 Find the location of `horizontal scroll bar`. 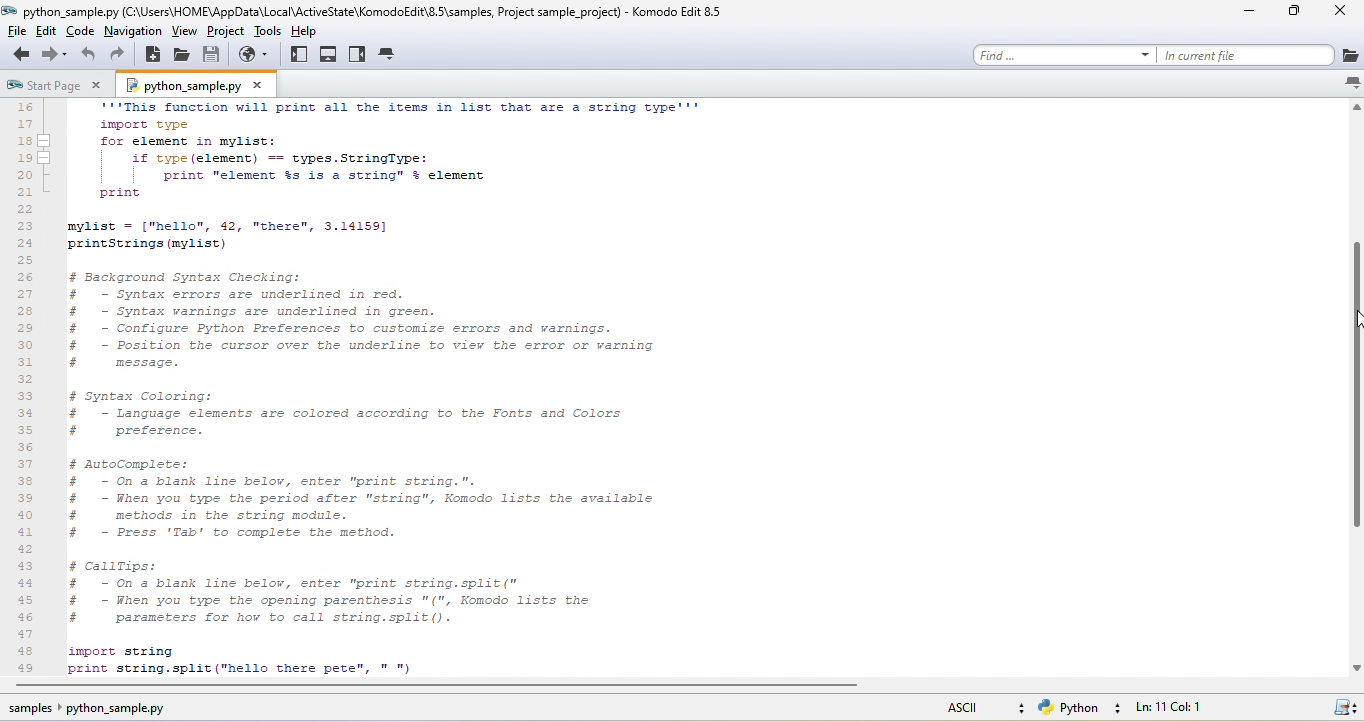

horizontal scroll bar is located at coordinates (438, 687).